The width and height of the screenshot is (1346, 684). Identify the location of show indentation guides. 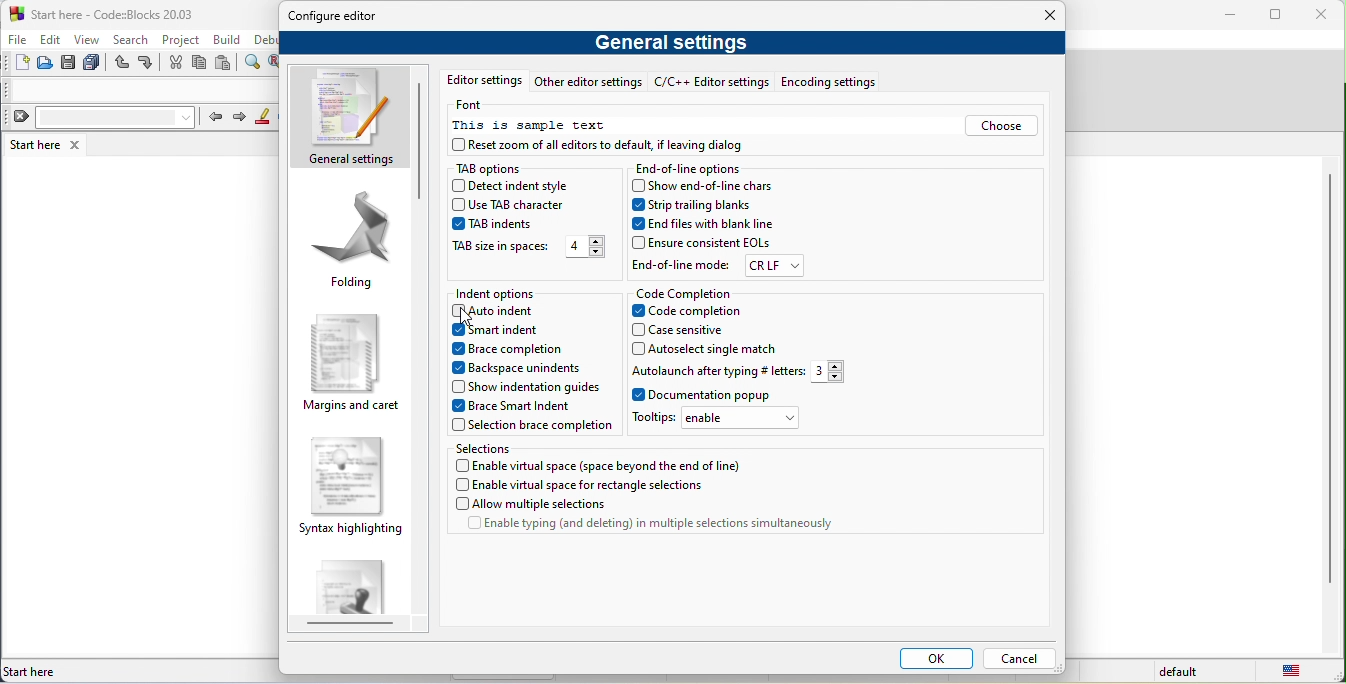
(524, 385).